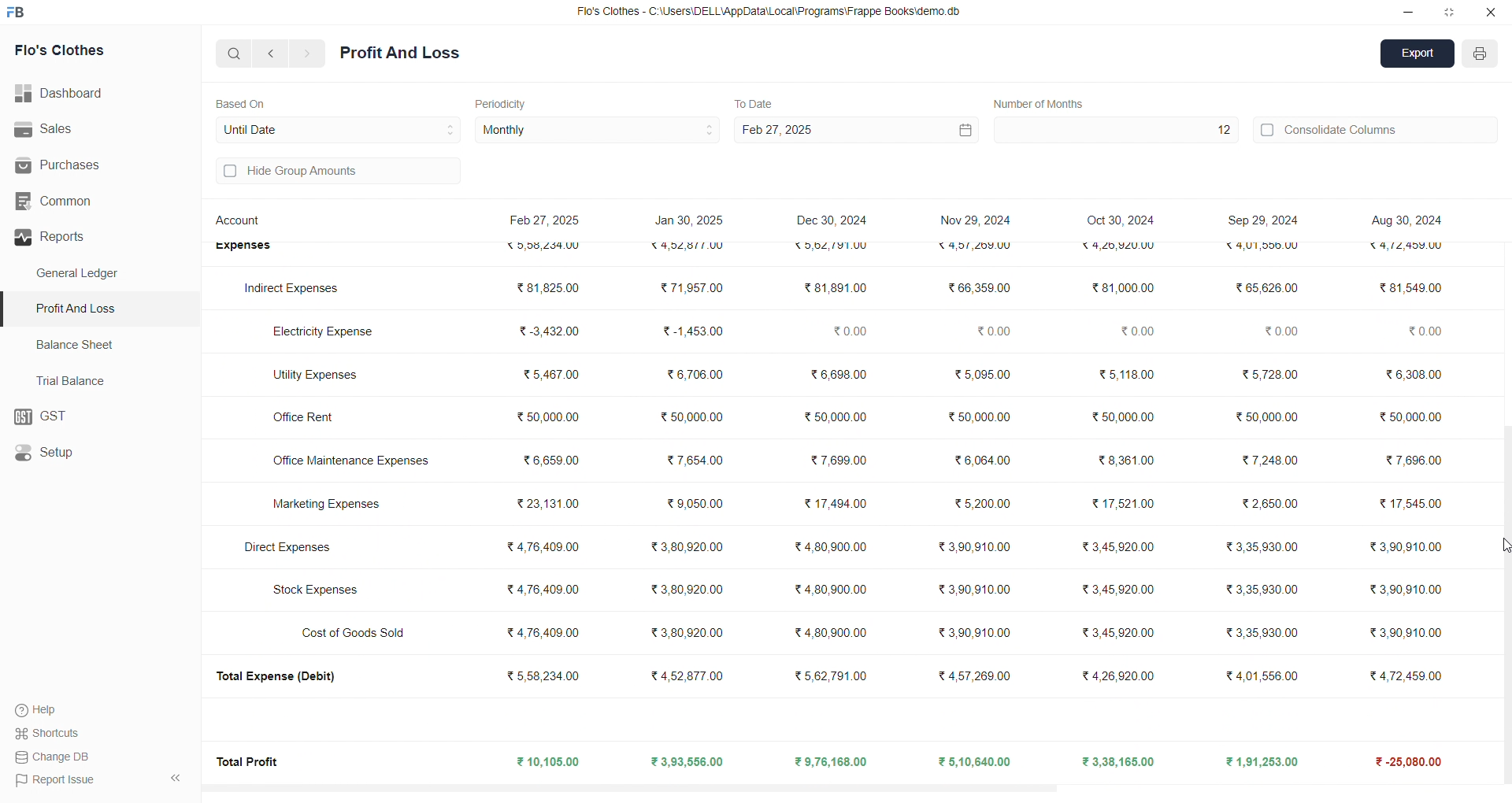 This screenshot has height=803, width=1512. What do you see at coordinates (1255, 546) in the screenshot?
I see `₹3,35,930.00` at bounding box center [1255, 546].